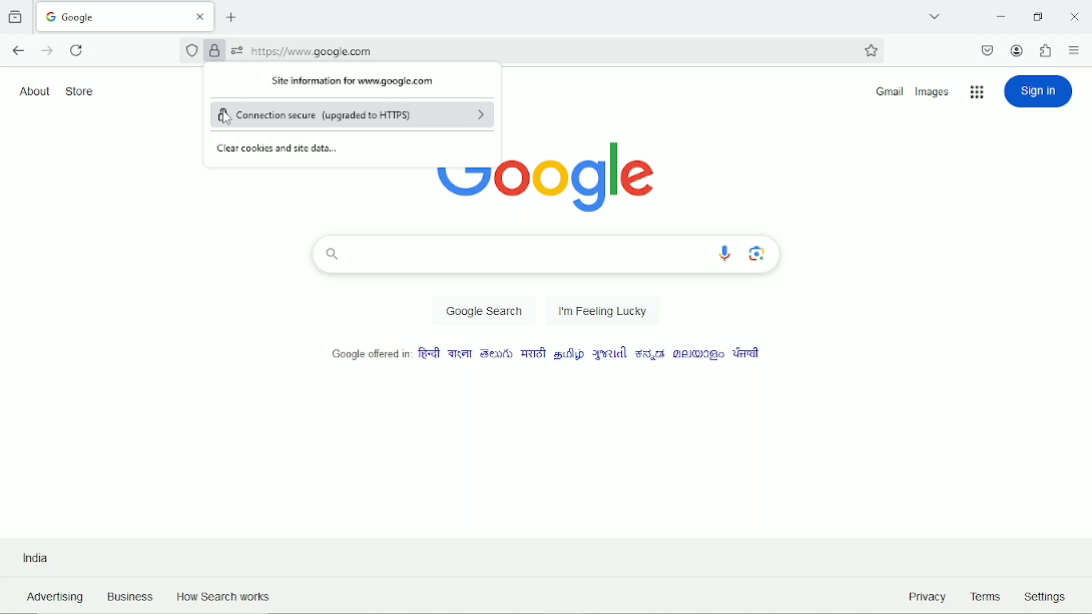 The image size is (1092, 614). What do you see at coordinates (354, 115) in the screenshot?
I see `Connection secure (upgraded to HTTPS)` at bounding box center [354, 115].